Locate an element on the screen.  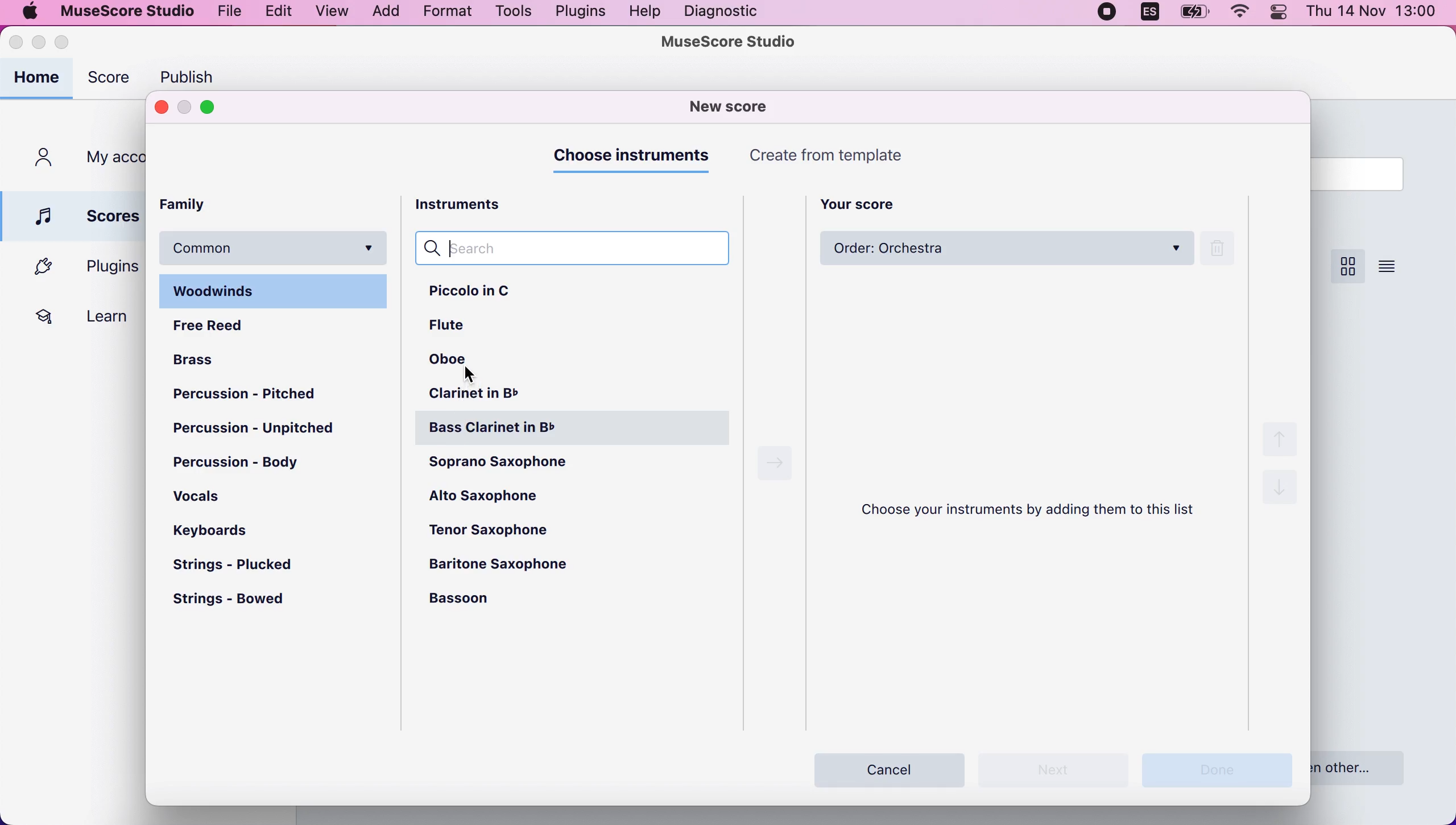
clarinet in b is located at coordinates (499, 396).